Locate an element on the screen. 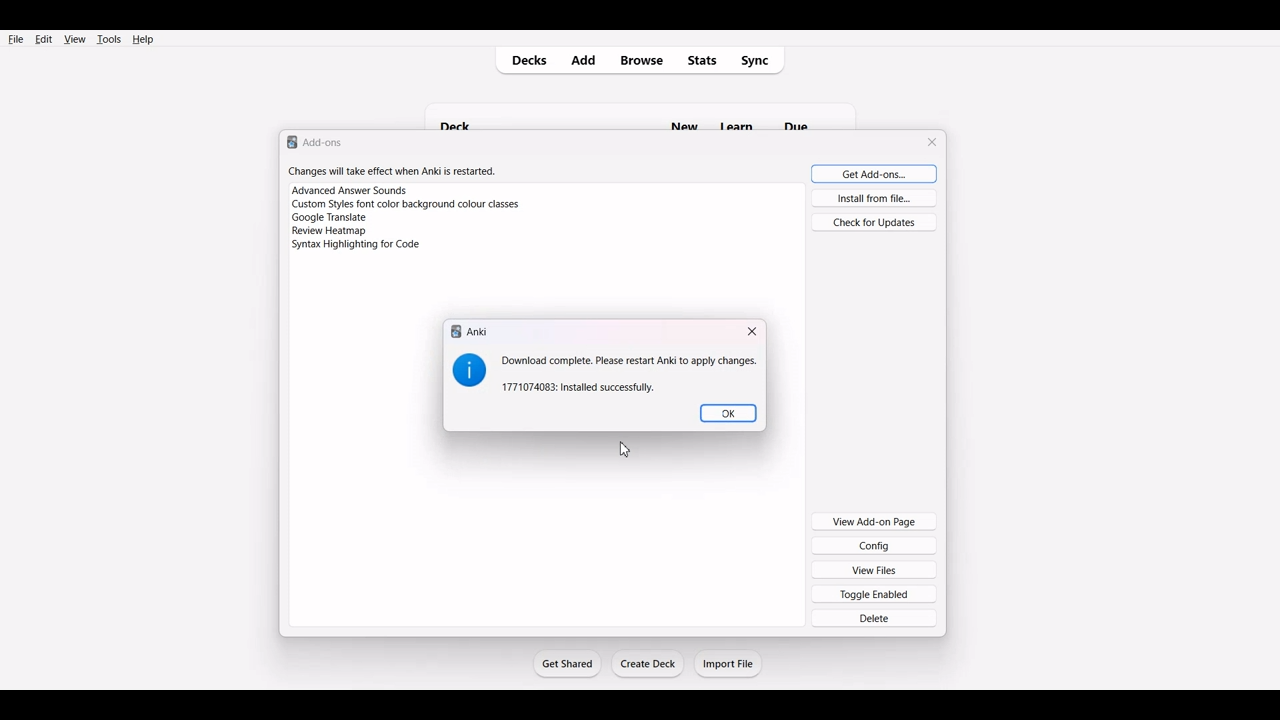 The height and width of the screenshot is (720, 1280). Text 1 is located at coordinates (316, 141).